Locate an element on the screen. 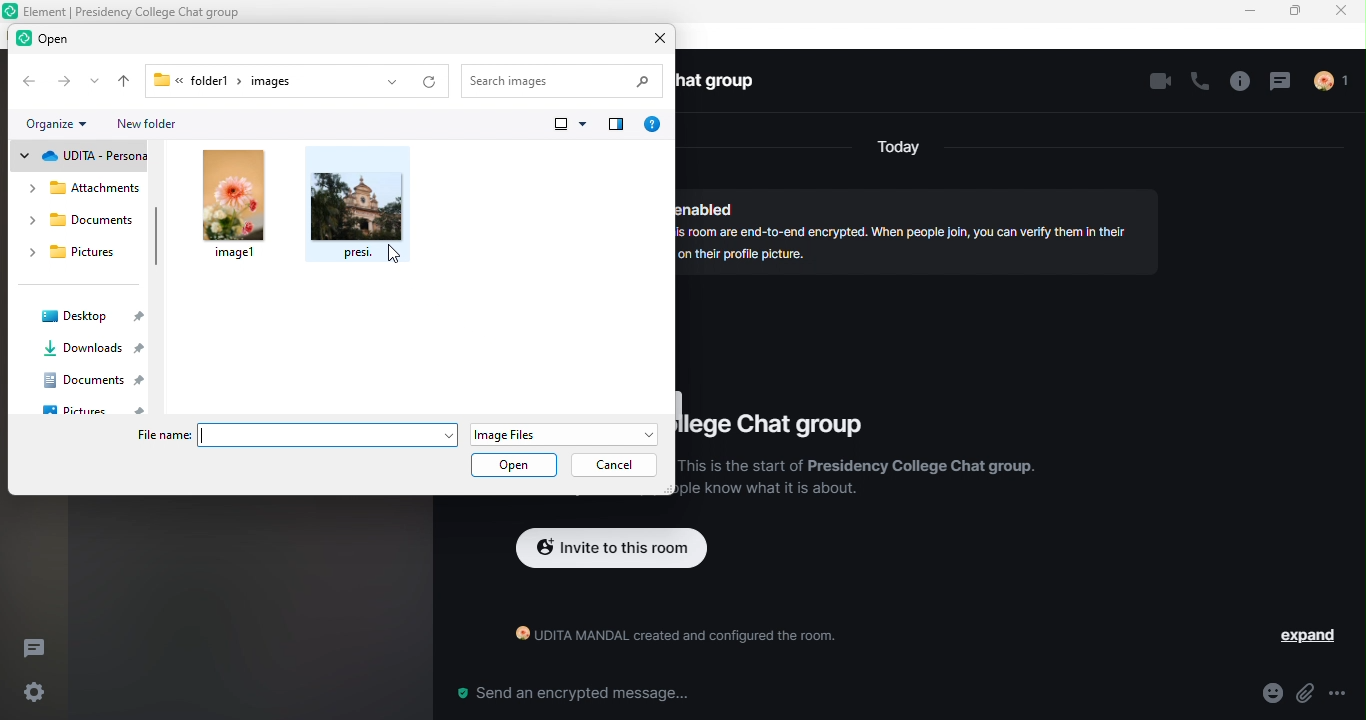 This screenshot has height=720, width=1366. organize is located at coordinates (61, 124).